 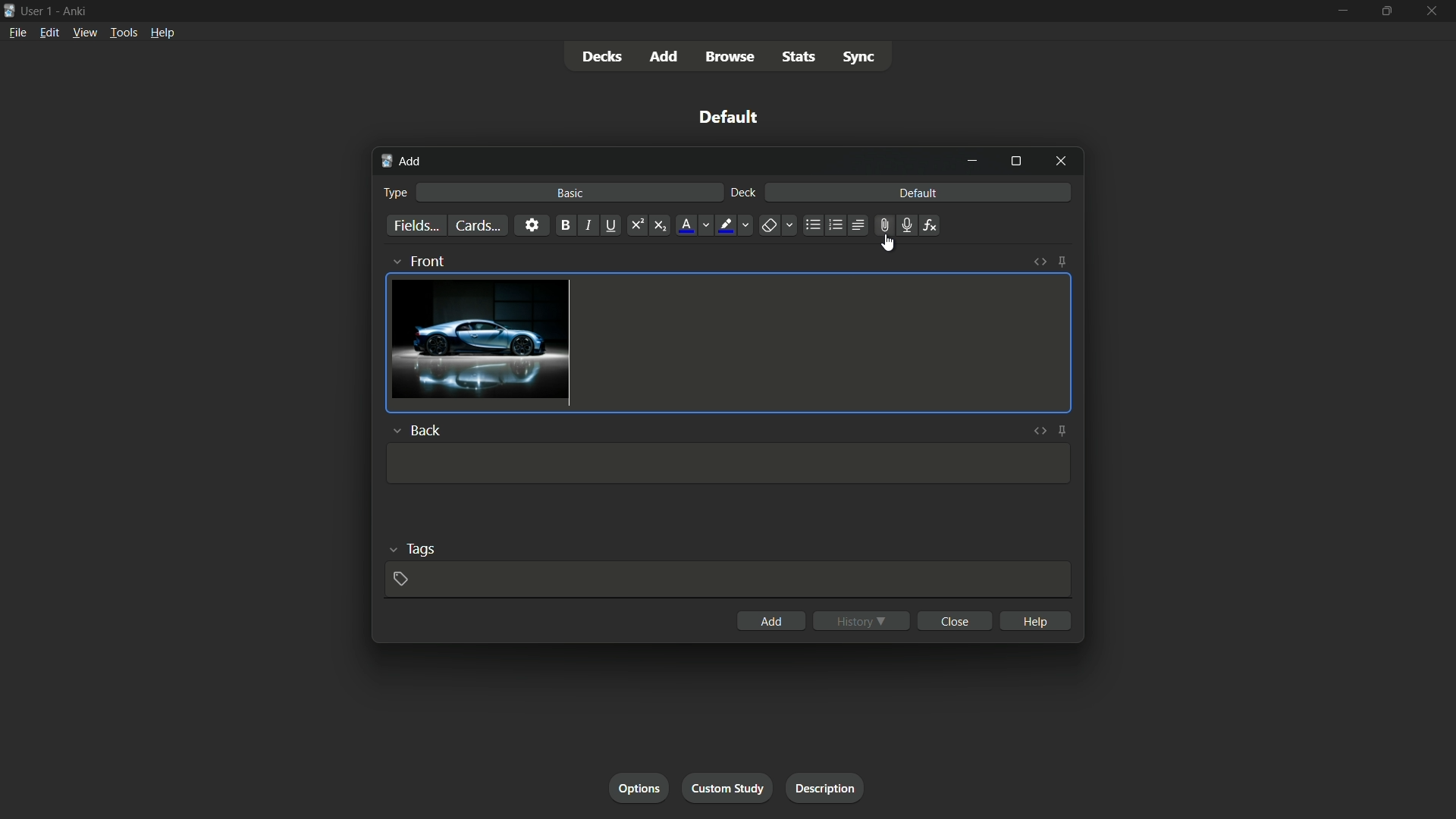 What do you see at coordinates (403, 580) in the screenshot?
I see `add tags` at bounding box center [403, 580].